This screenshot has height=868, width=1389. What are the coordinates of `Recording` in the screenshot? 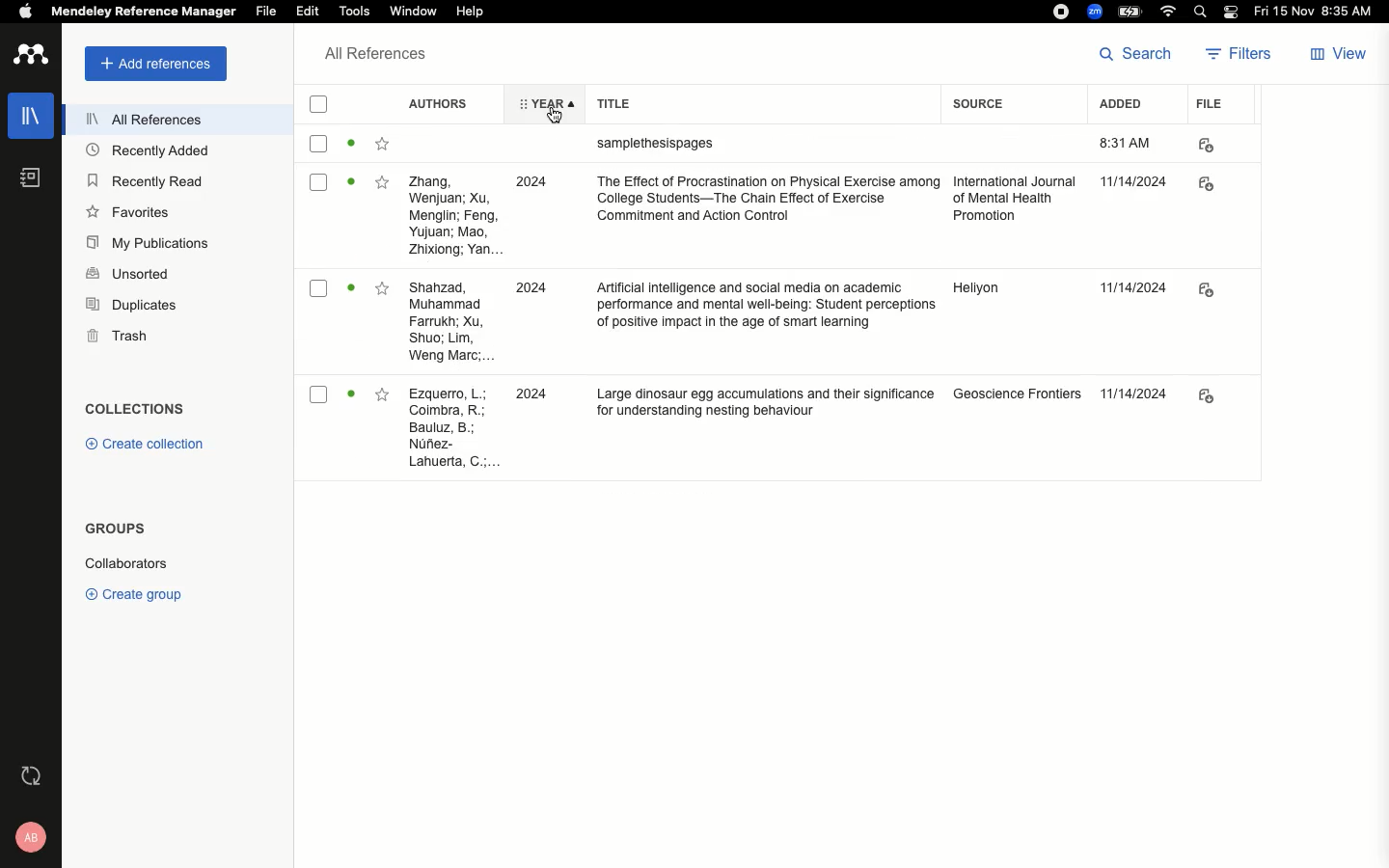 It's located at (1059, 13).